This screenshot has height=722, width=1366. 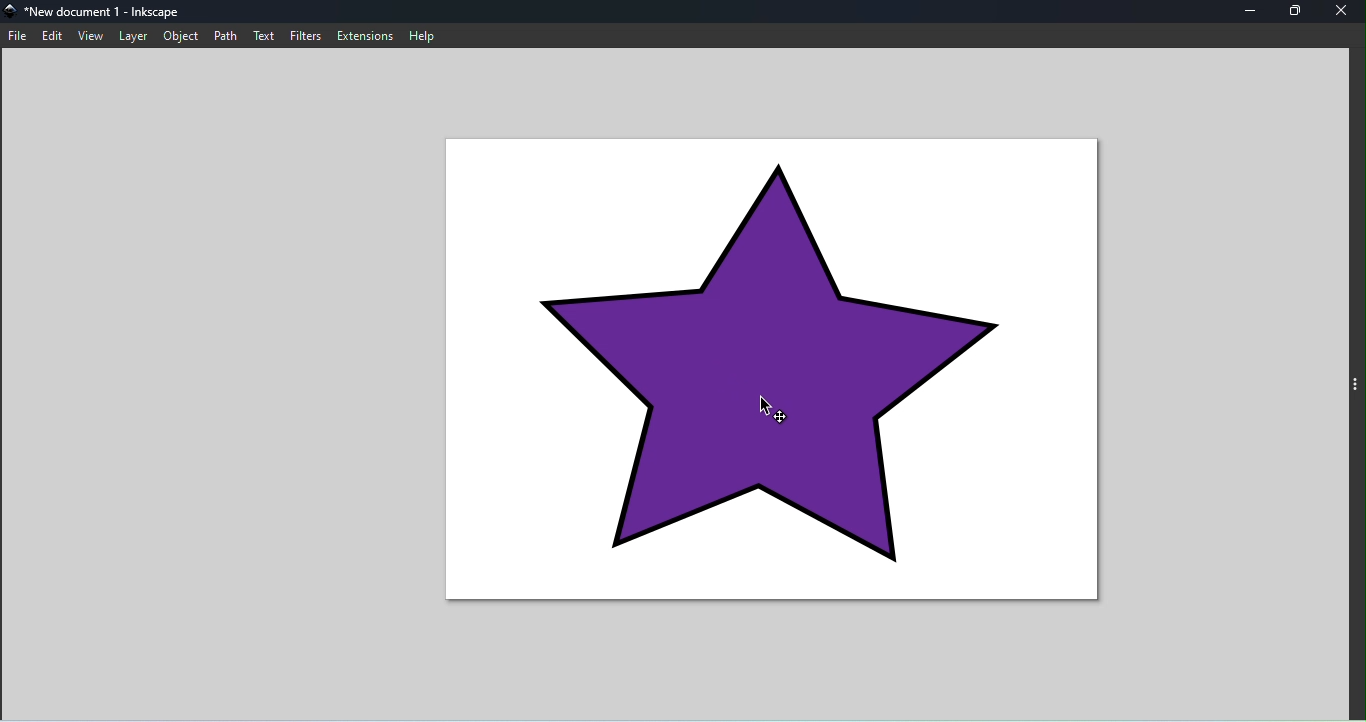 What do you see at coordinates (225, 36) in the screenshot?
I see `path` at bounding box center [225, 36].